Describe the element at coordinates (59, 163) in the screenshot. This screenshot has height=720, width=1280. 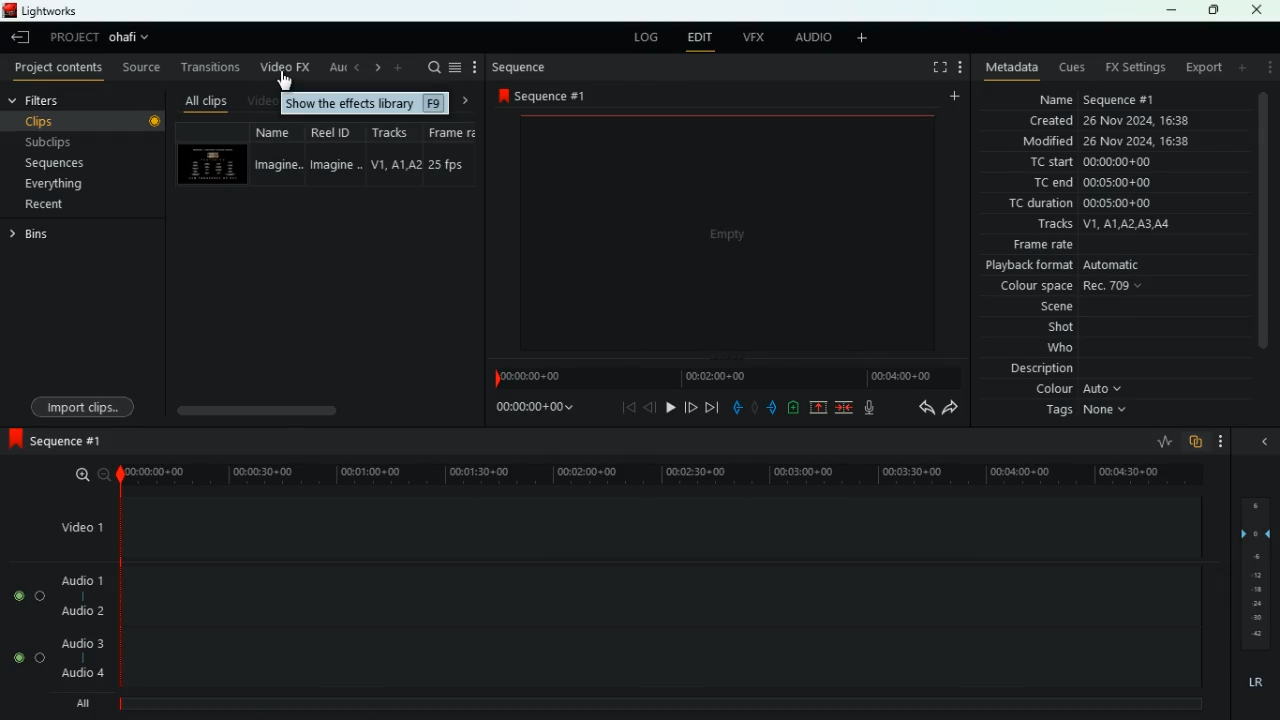
I see `sequences` at that location.